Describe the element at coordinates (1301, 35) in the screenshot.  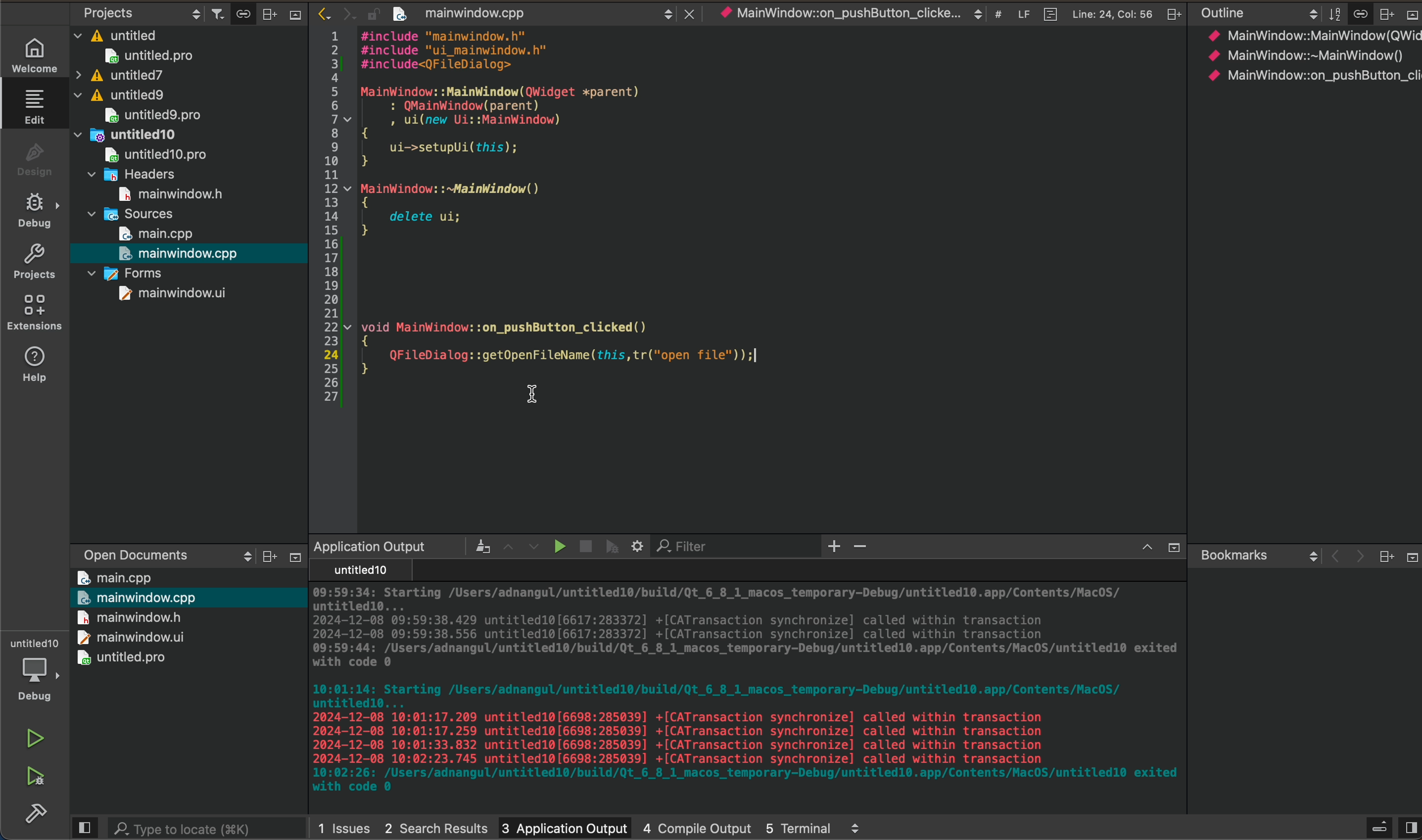
I see `MainWindow::MainWindow (Q` at that location.